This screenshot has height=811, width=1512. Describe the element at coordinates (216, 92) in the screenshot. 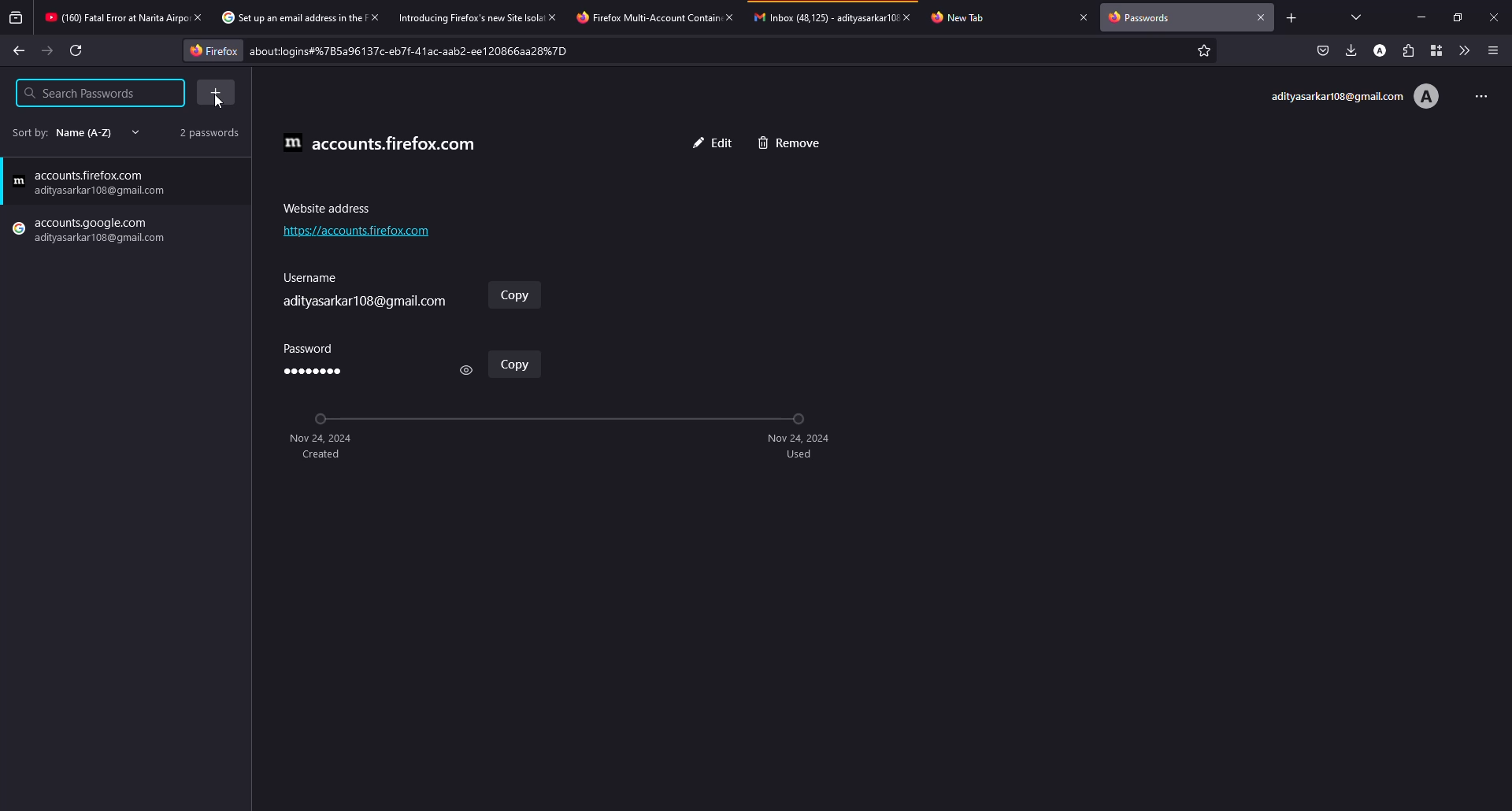

I see `add` at that location.